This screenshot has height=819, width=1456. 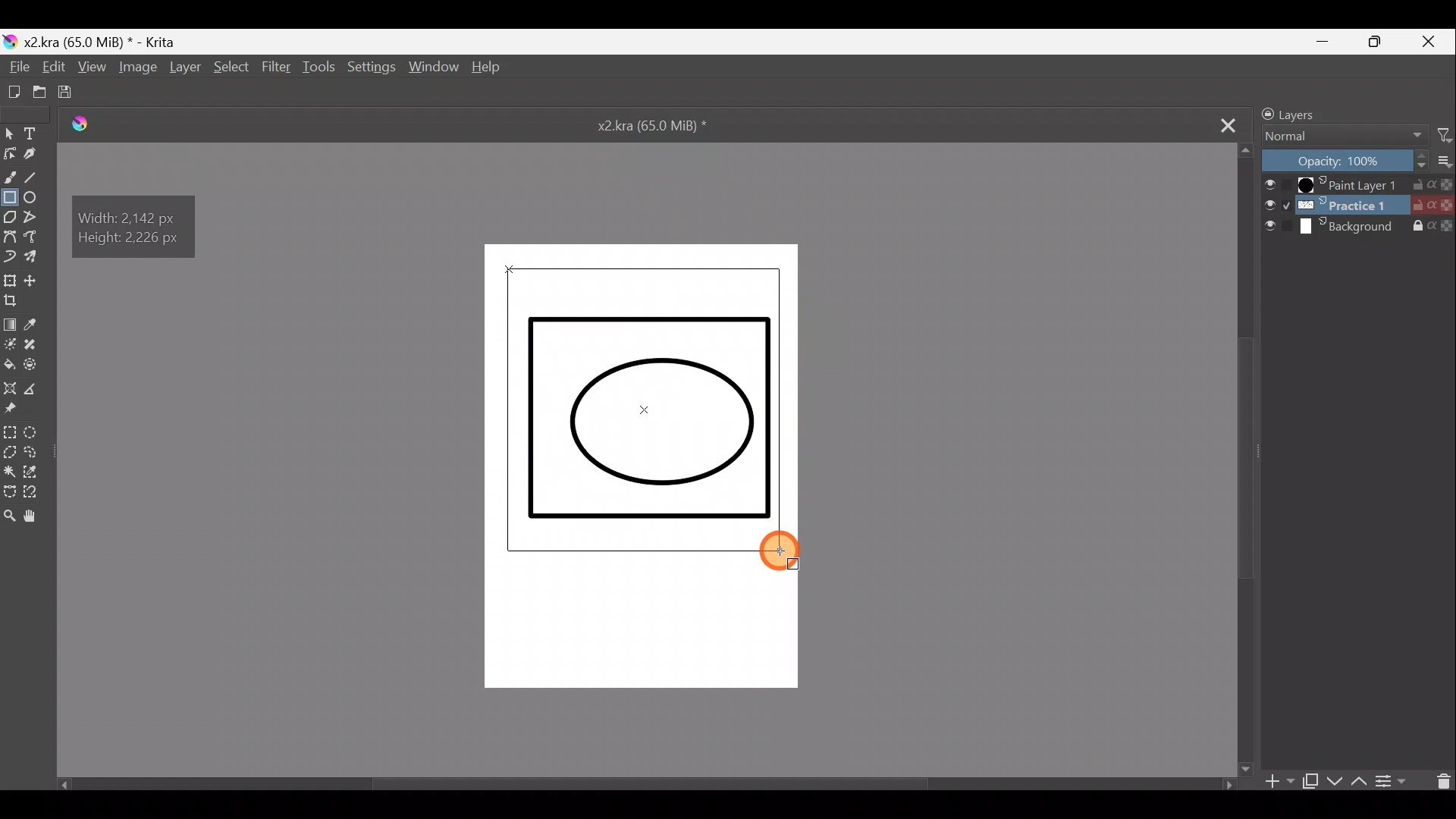 I want to click on x2.kra (65.0 MiB) *, so click(x=651, y=128).